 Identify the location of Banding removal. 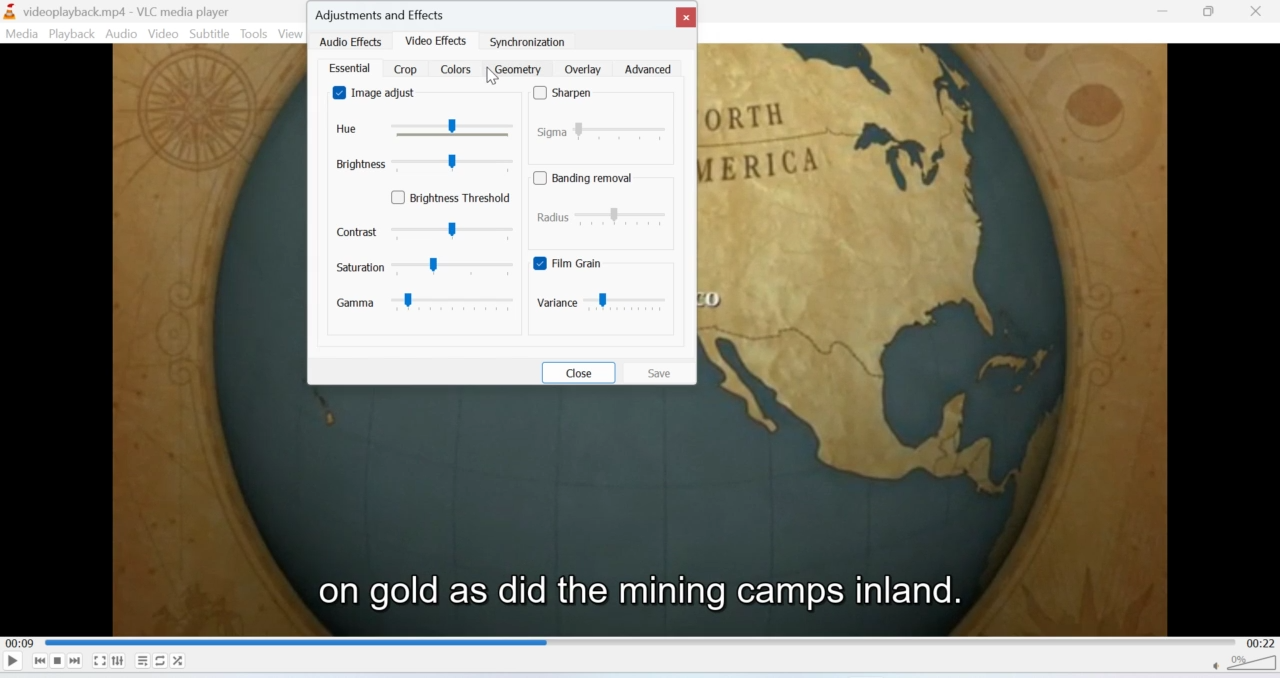
(587, 176).